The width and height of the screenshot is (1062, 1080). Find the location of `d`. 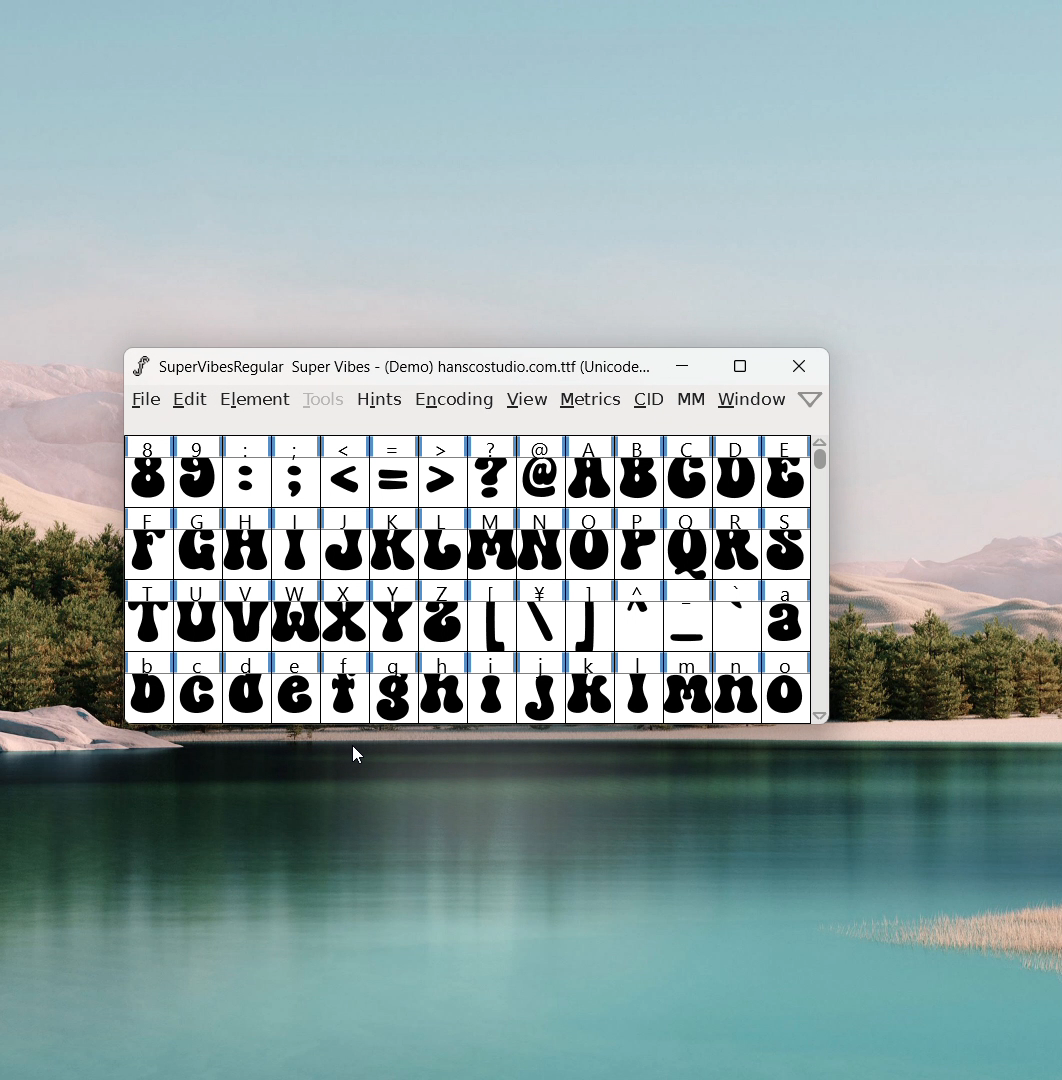

d is located at coordinates (248, 689).